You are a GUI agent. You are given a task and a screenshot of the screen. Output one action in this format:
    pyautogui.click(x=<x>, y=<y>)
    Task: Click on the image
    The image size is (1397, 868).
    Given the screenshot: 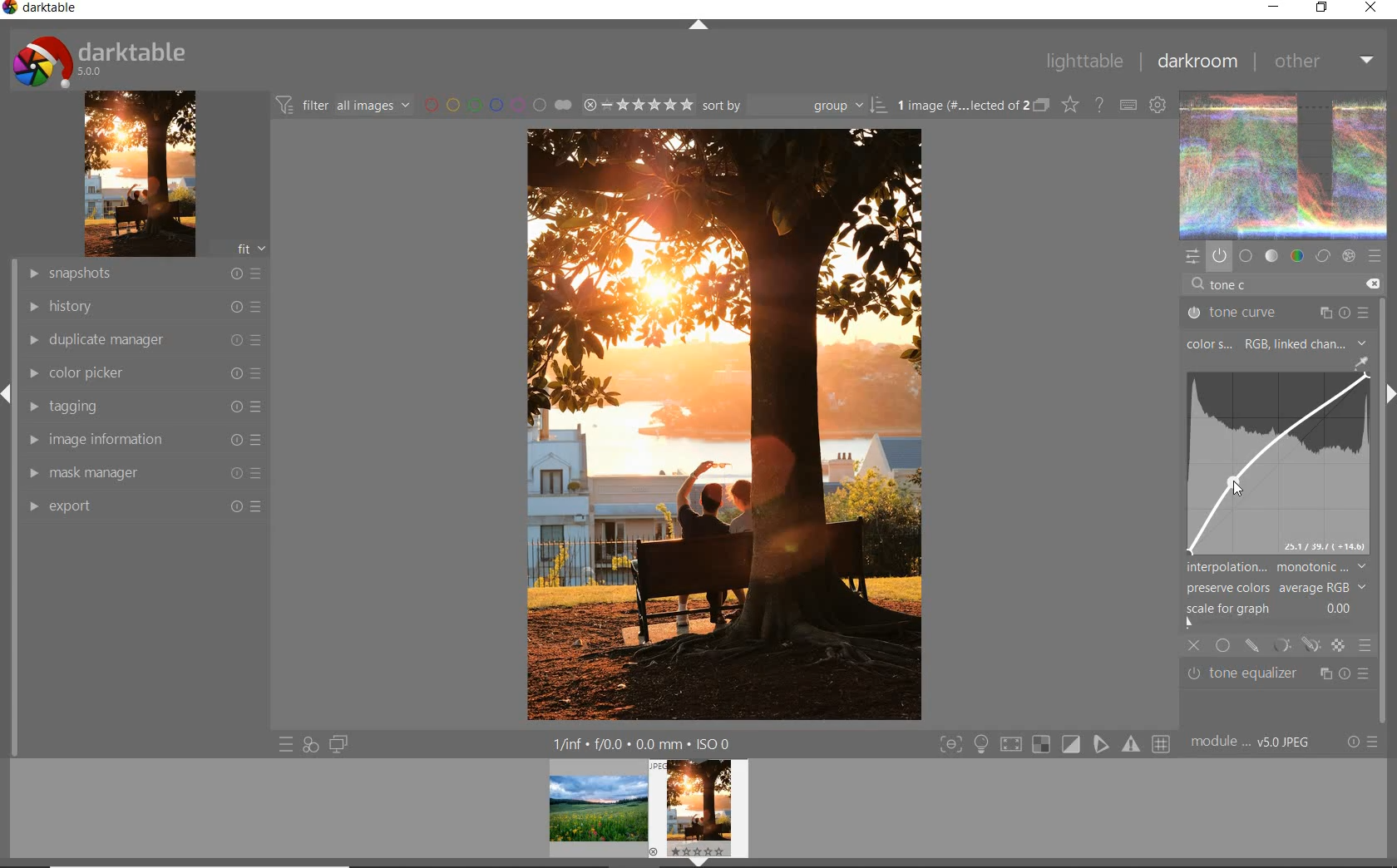 What is the action you would take?
    pyautogui.click(x=1284, y=163)
    